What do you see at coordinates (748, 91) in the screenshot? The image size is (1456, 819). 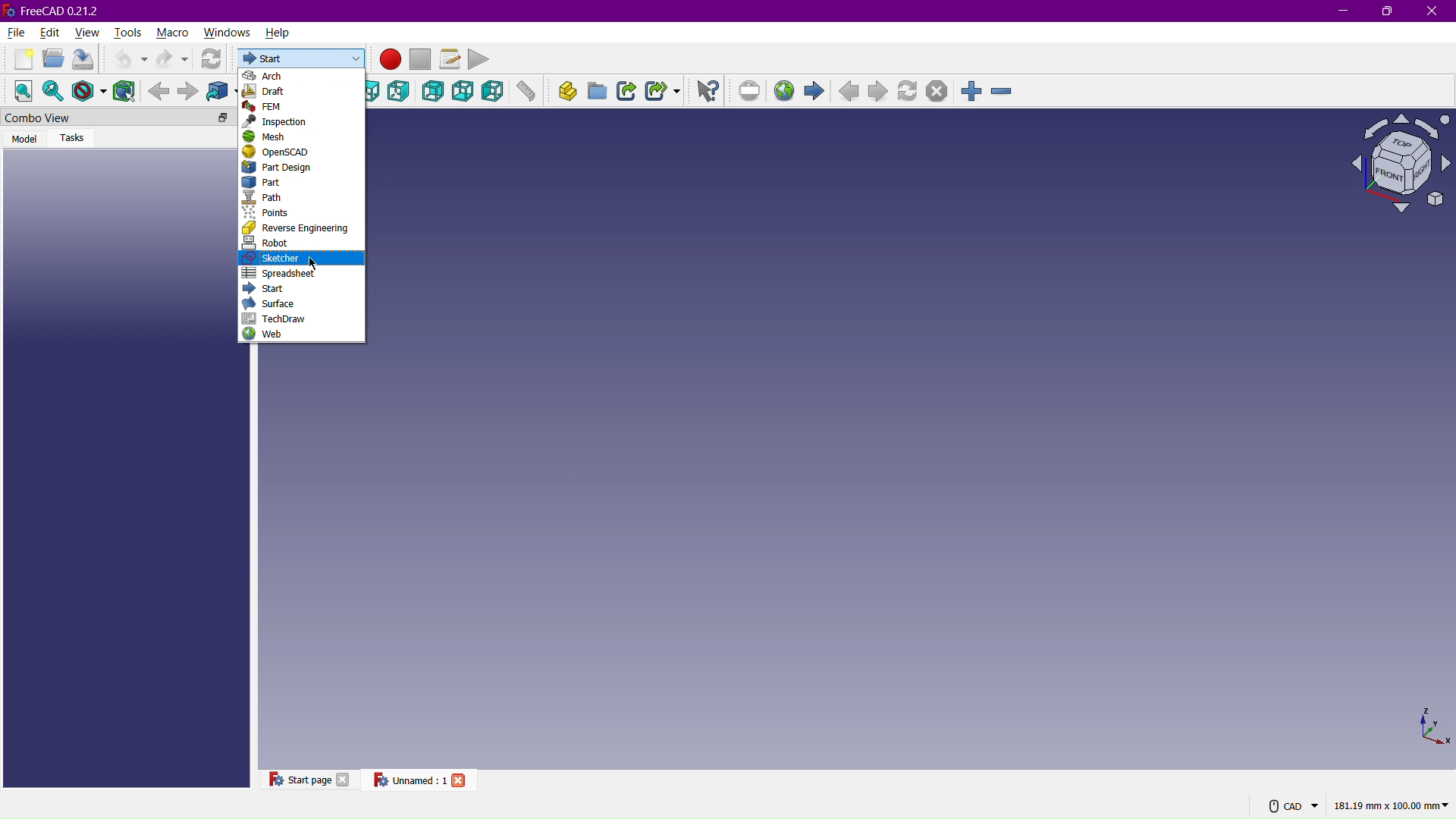 I see `Set URL` at bounding box center [748, 91].